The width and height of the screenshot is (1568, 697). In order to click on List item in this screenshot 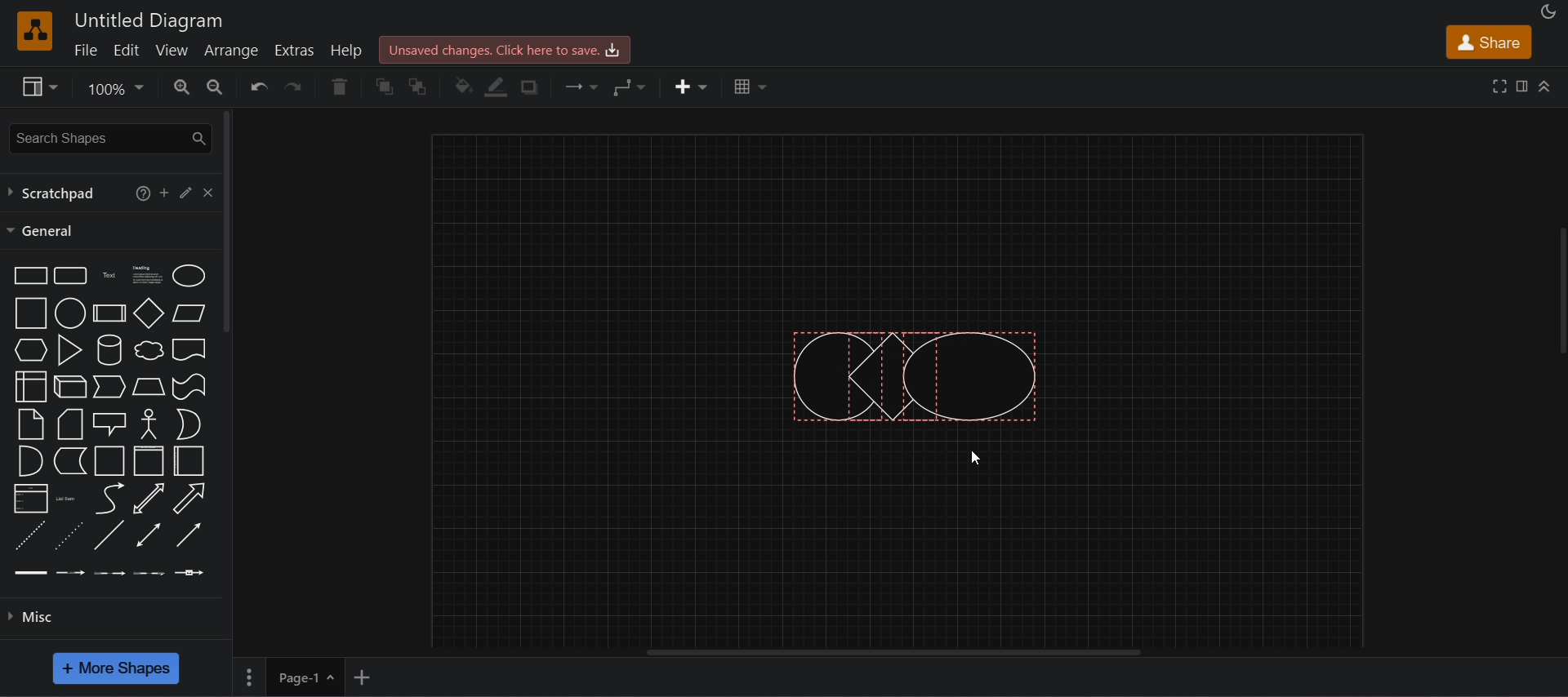, I will do `click(67, 498)`.